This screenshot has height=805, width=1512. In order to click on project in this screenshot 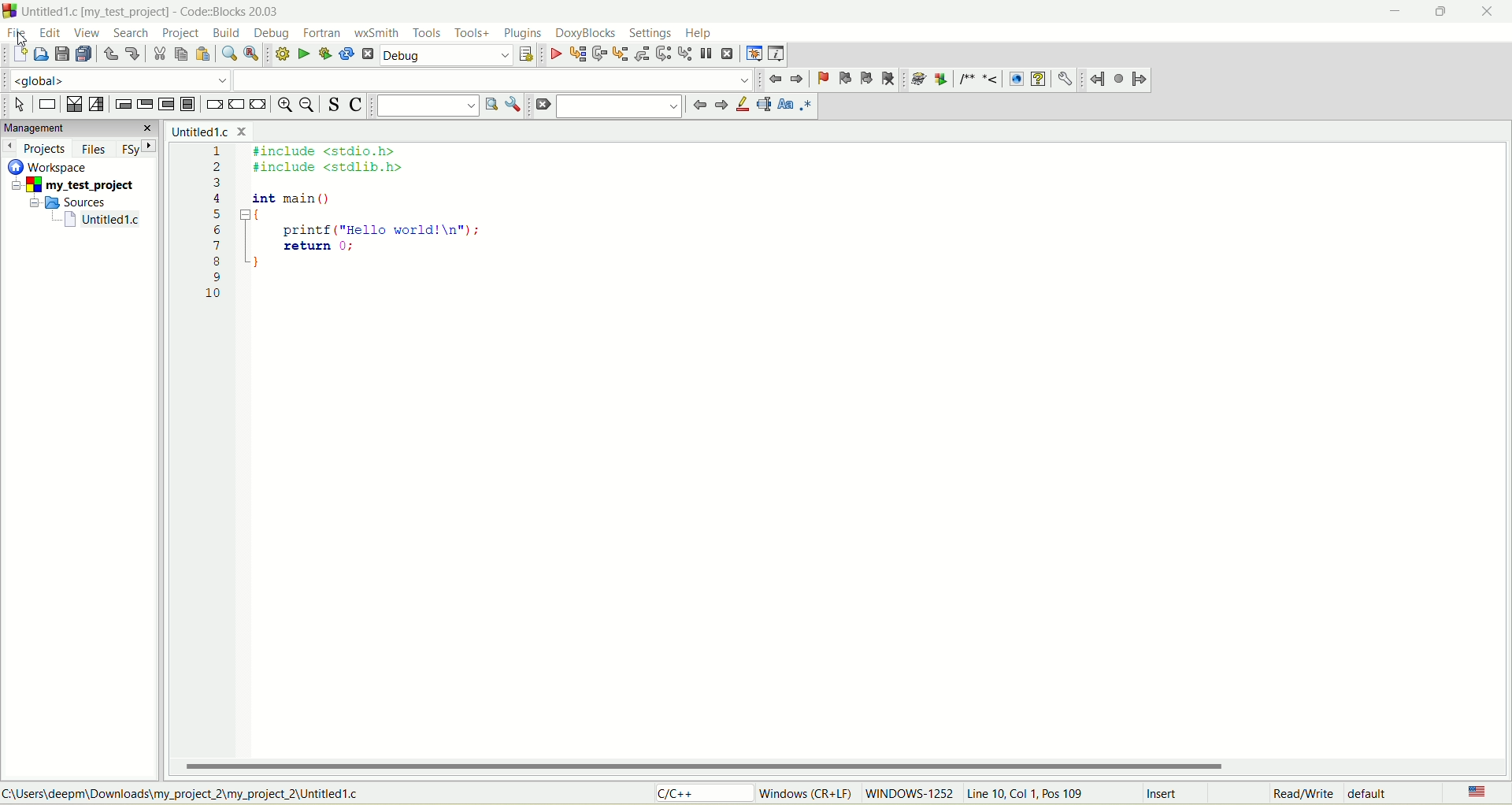, I will do `click(76, 186)`.